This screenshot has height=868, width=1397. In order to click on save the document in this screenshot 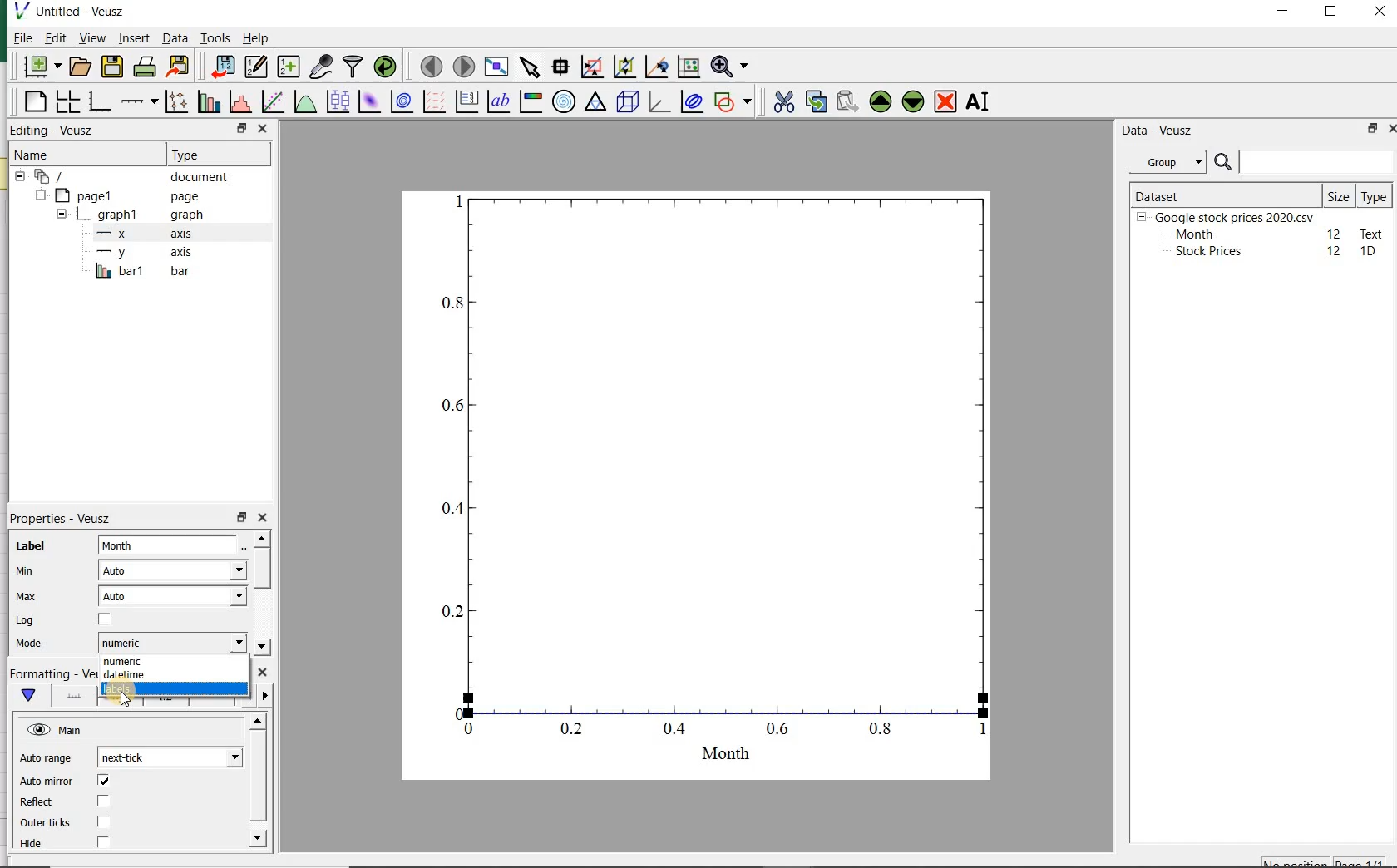, I will do `click(112, 67)`.